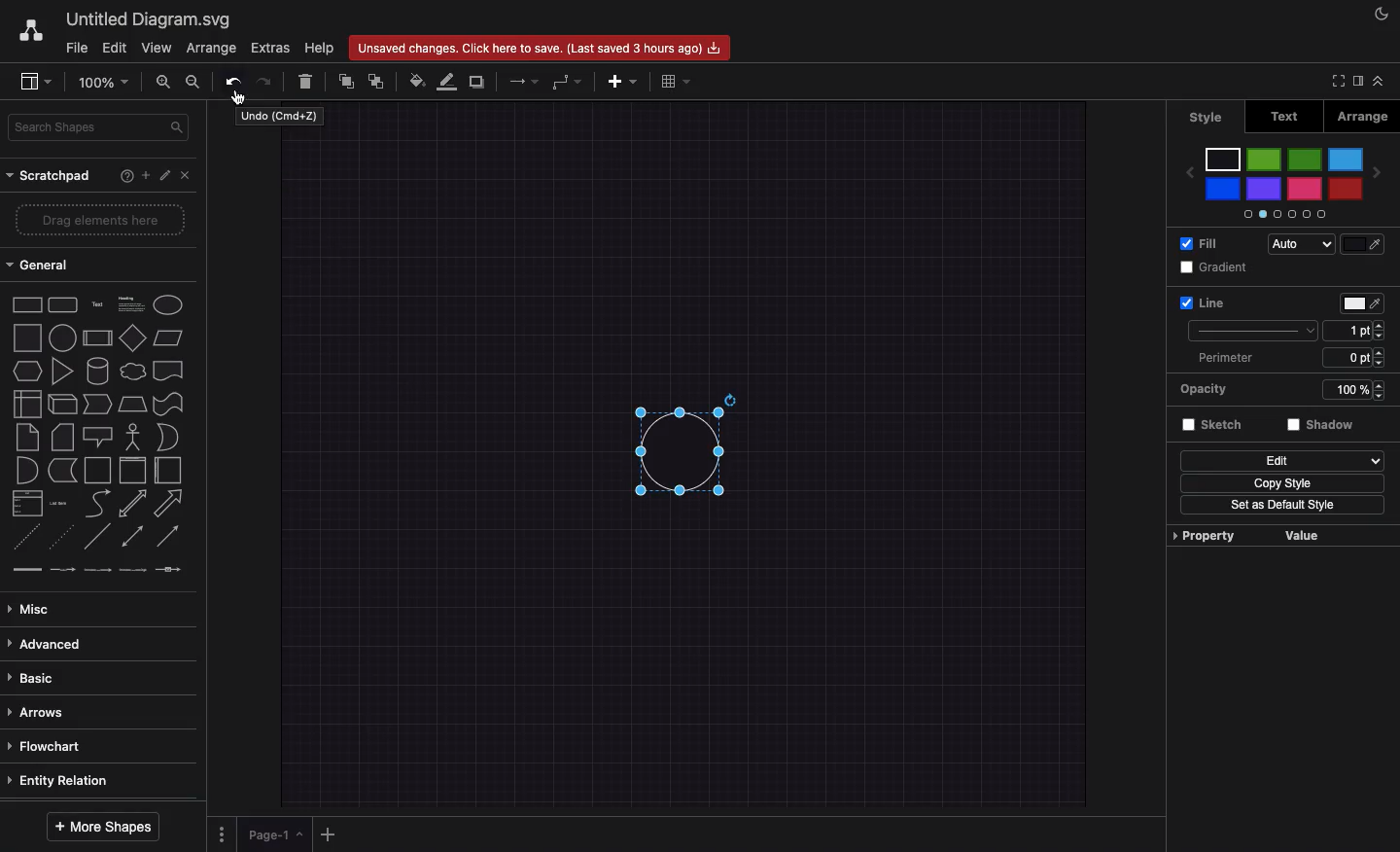  What do you see at coordinates (331, 833) in the screenshot?
I see `Add` at bounding box center [331, 833].